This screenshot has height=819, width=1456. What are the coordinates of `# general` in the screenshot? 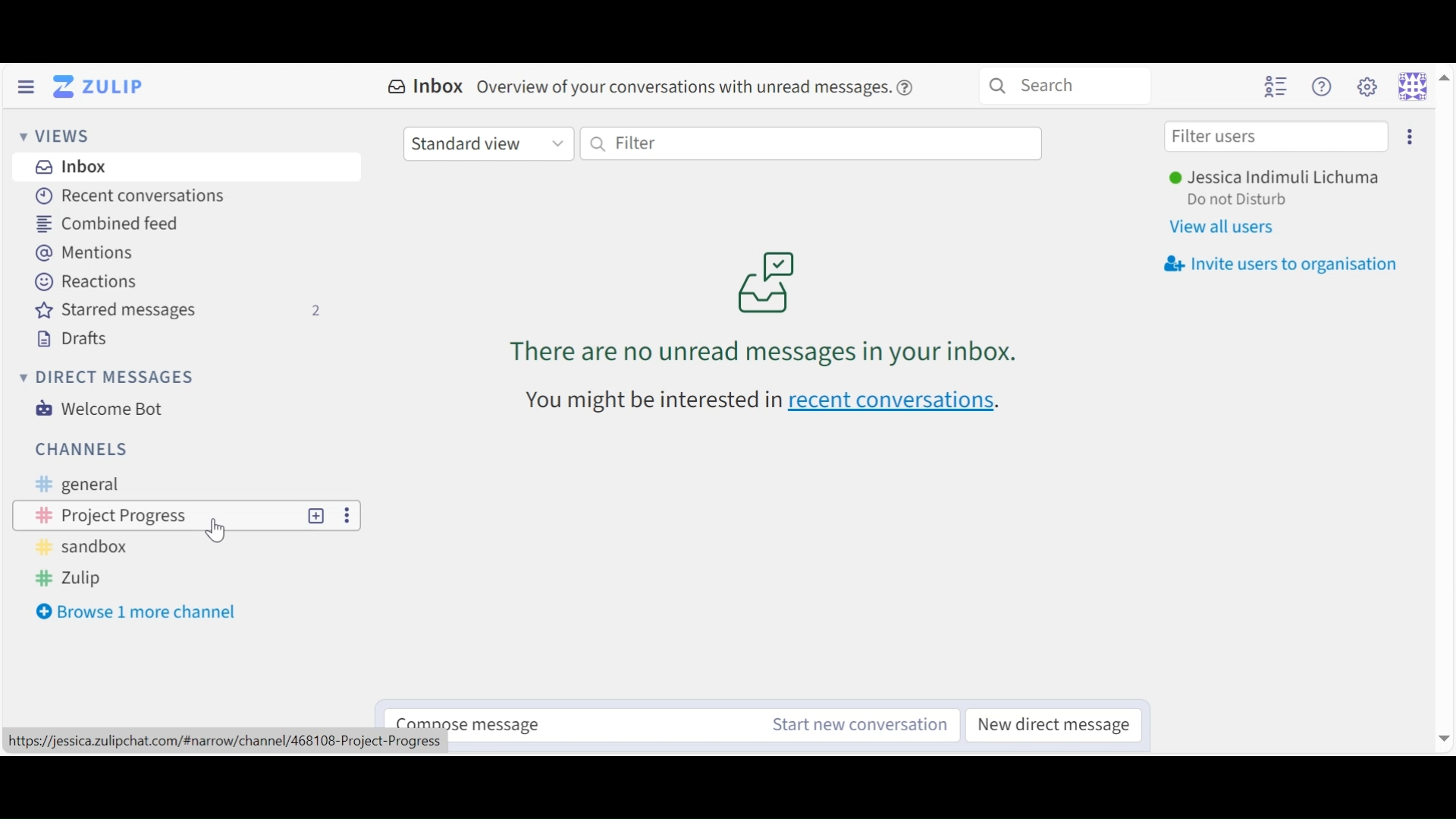 It's located at (99, 486).